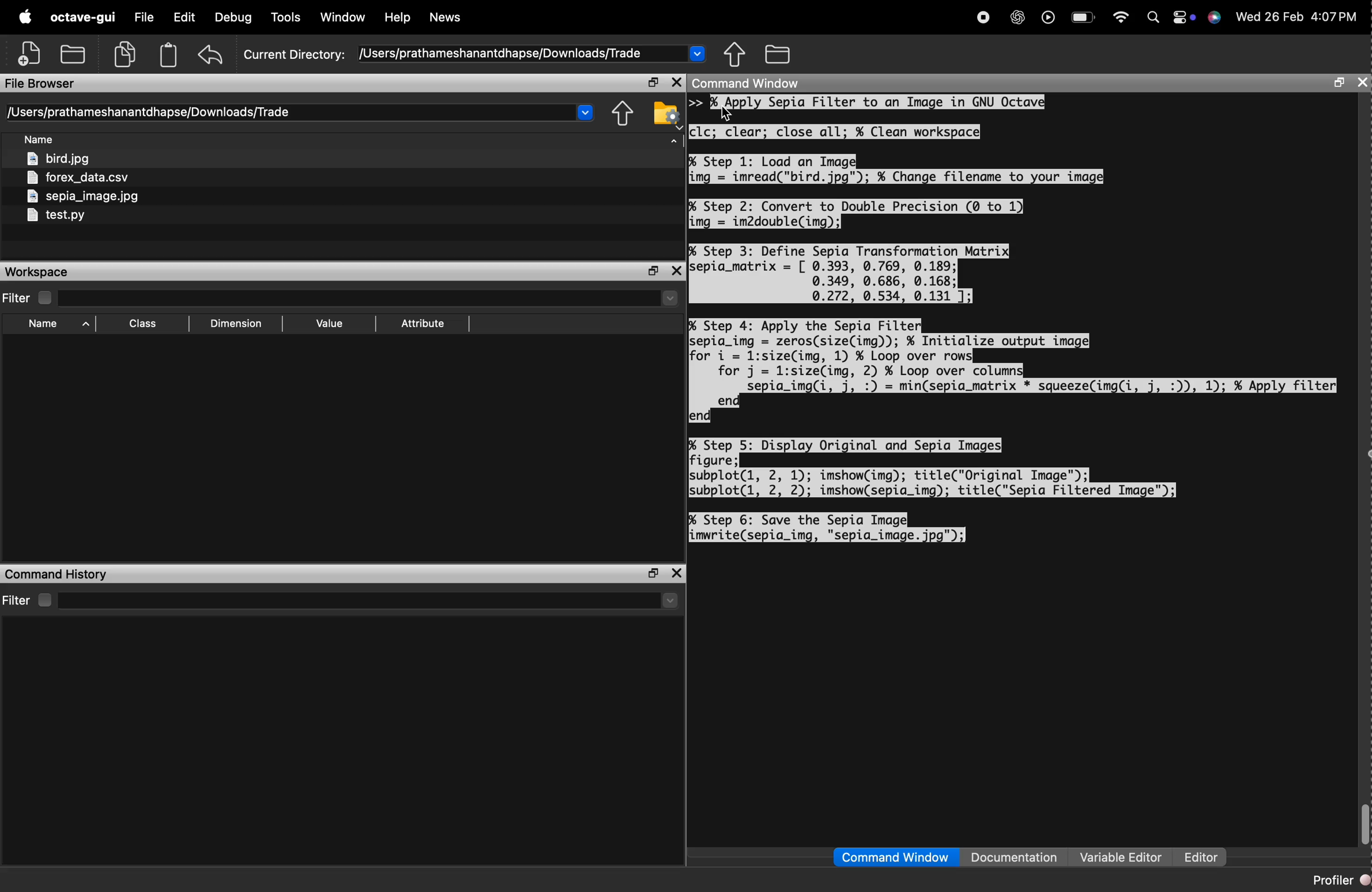  I want to click on search, so click(1155, 18).